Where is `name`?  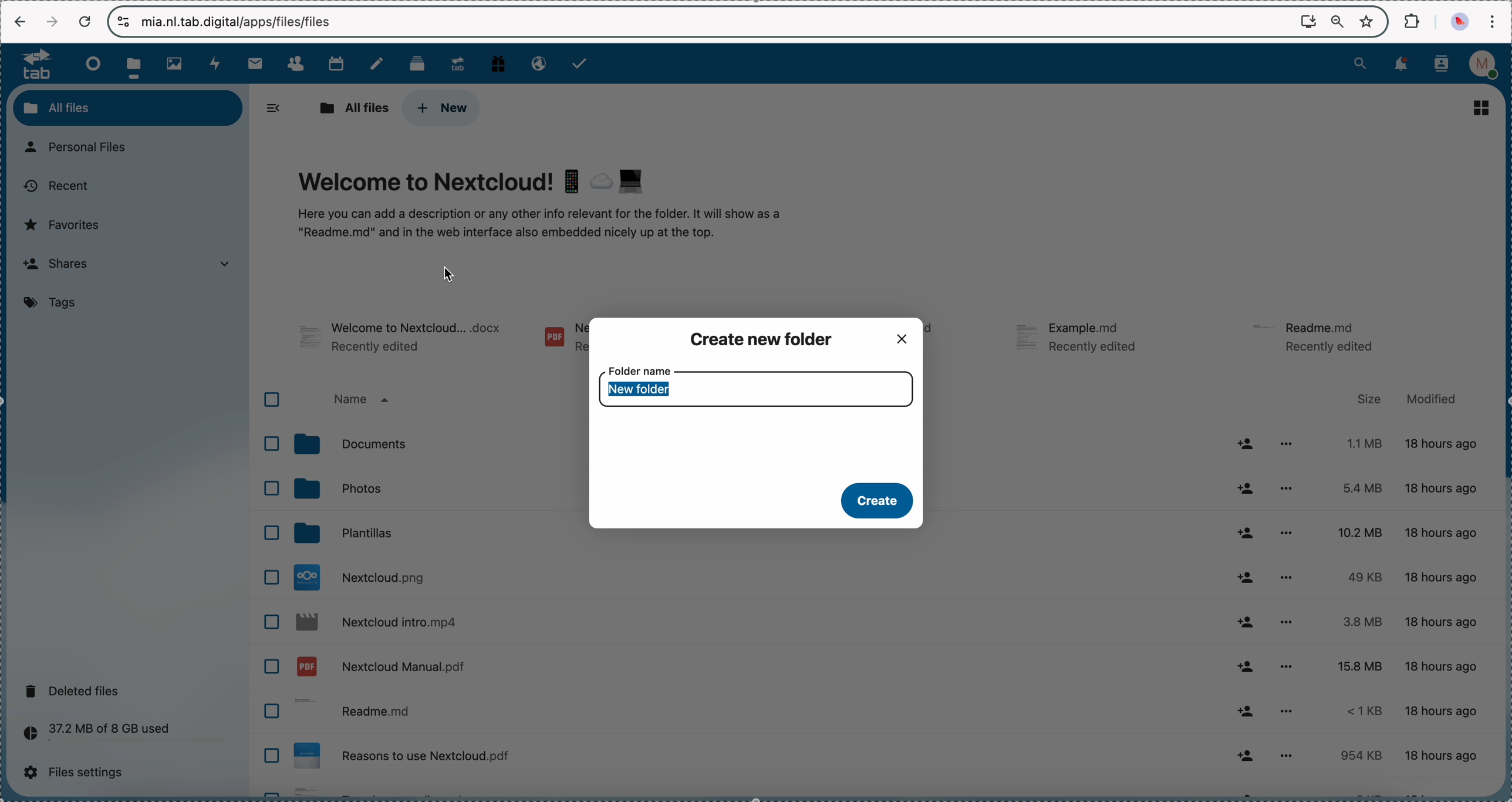
name is located at coordinates (362, 401).